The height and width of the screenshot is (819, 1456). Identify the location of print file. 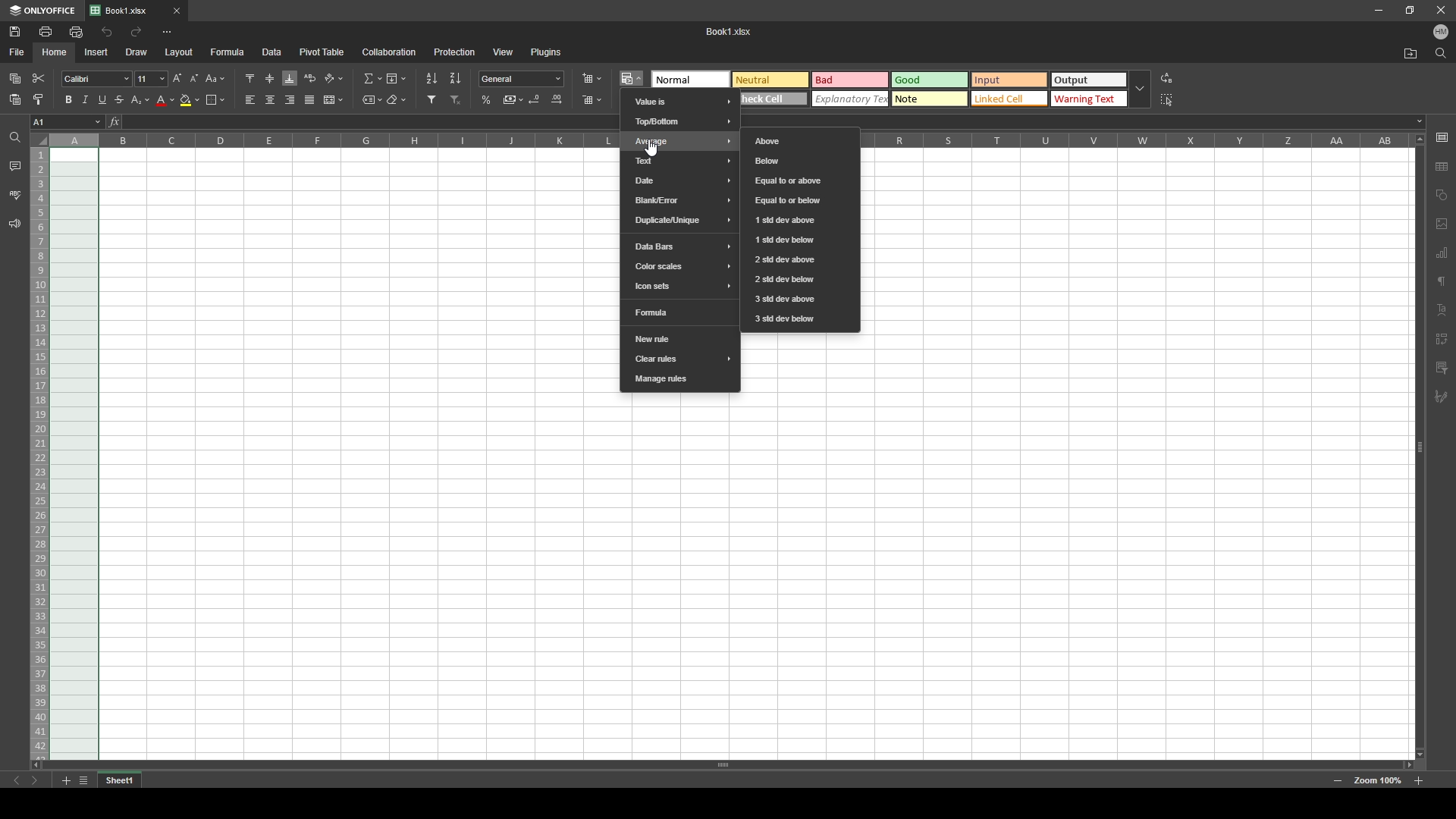
(45, 31).